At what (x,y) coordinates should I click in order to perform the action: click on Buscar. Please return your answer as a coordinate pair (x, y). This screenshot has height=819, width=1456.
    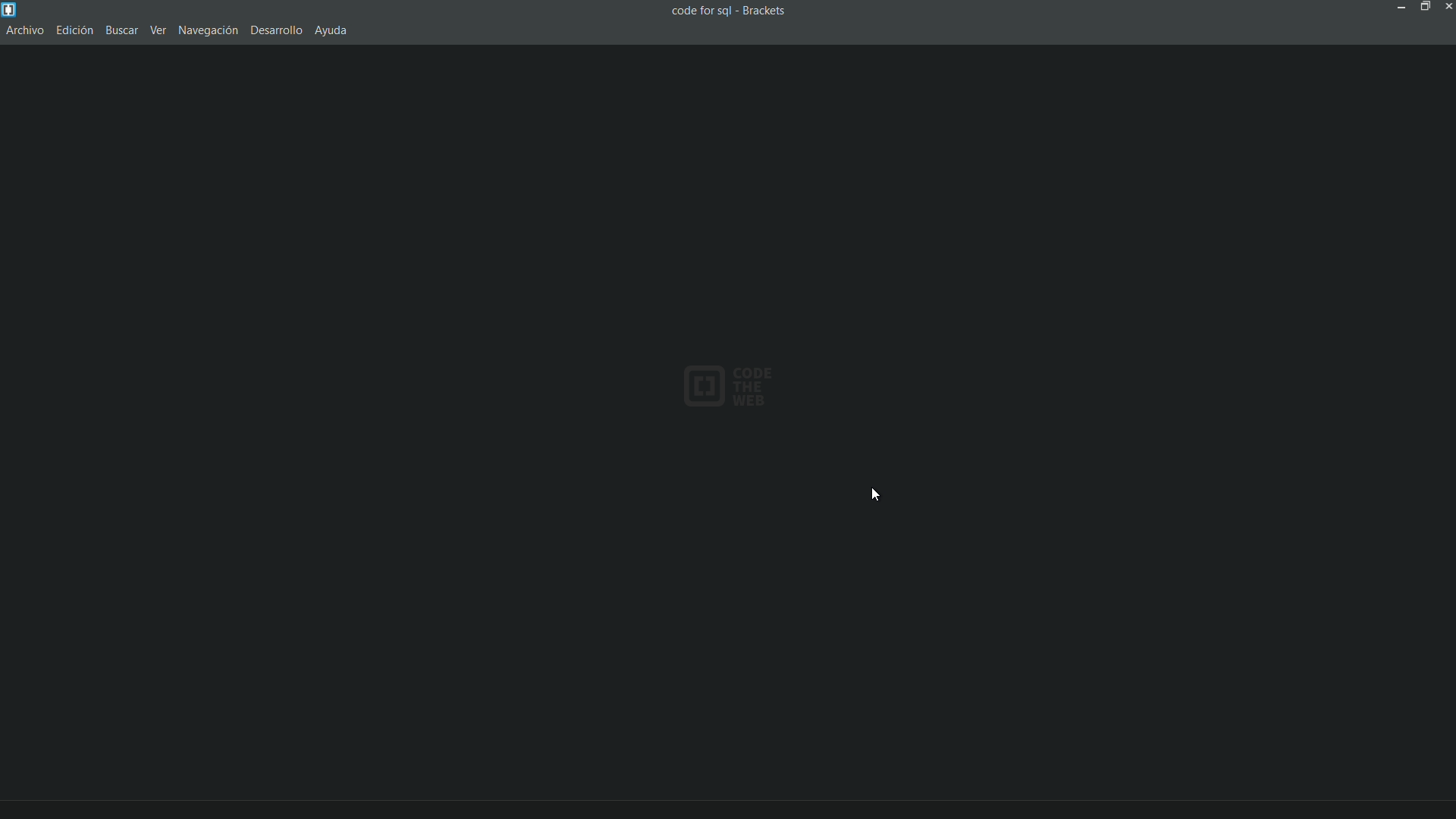
    Looking at the image, I should click on (121, 31).